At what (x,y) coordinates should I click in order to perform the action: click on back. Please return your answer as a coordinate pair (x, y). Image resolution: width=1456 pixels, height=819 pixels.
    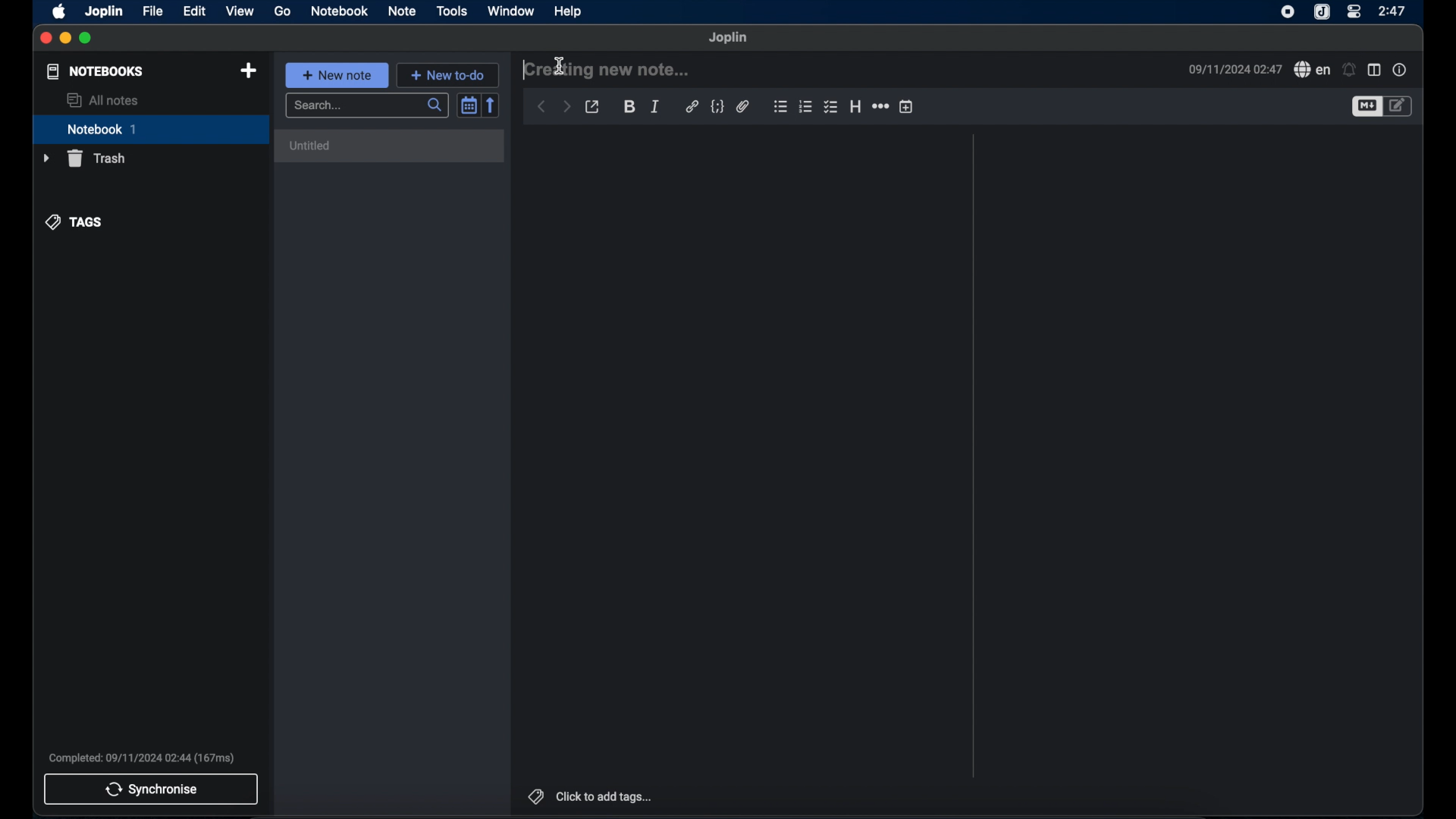
    Looking at the image, I should click on (541, 108).